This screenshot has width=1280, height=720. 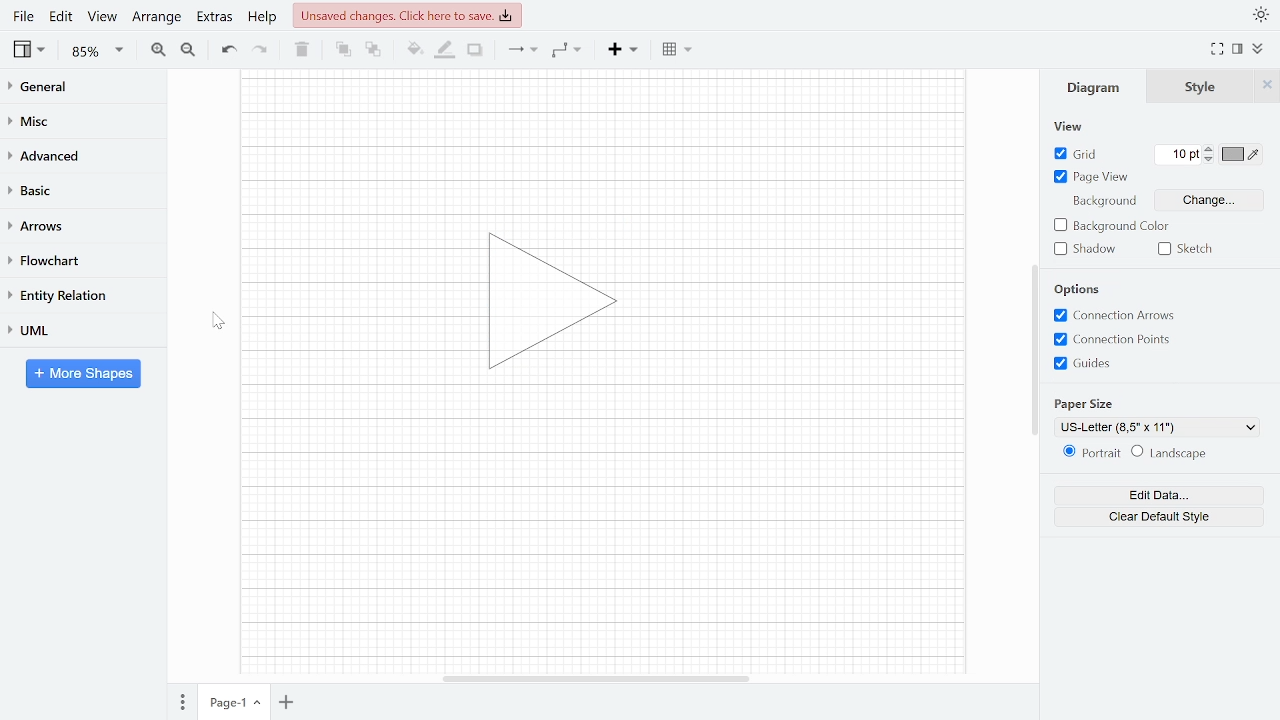 I want to click on Pages, so click(x=181, y=704).